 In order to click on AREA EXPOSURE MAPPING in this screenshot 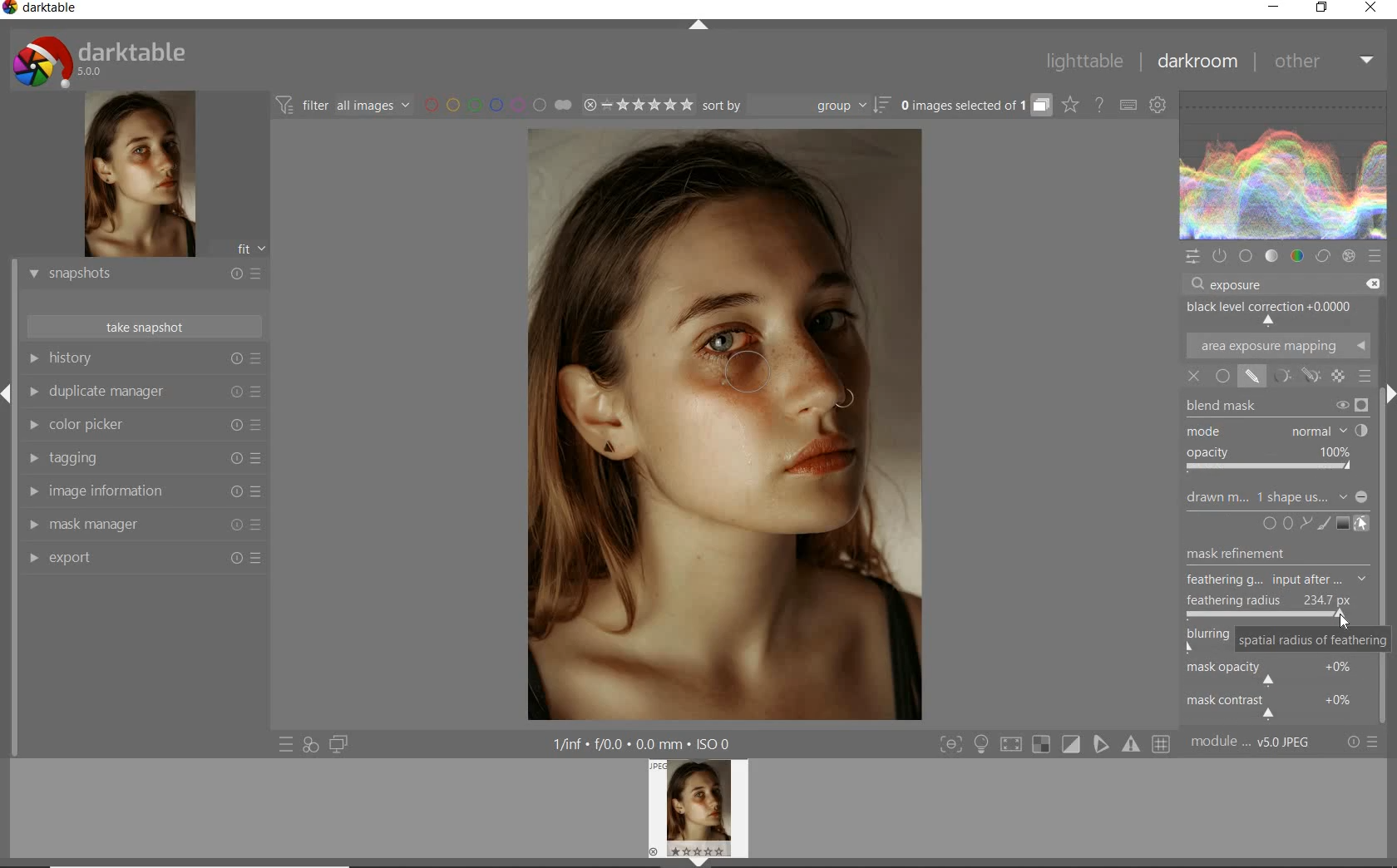, I will do `click(1278, 348)`.